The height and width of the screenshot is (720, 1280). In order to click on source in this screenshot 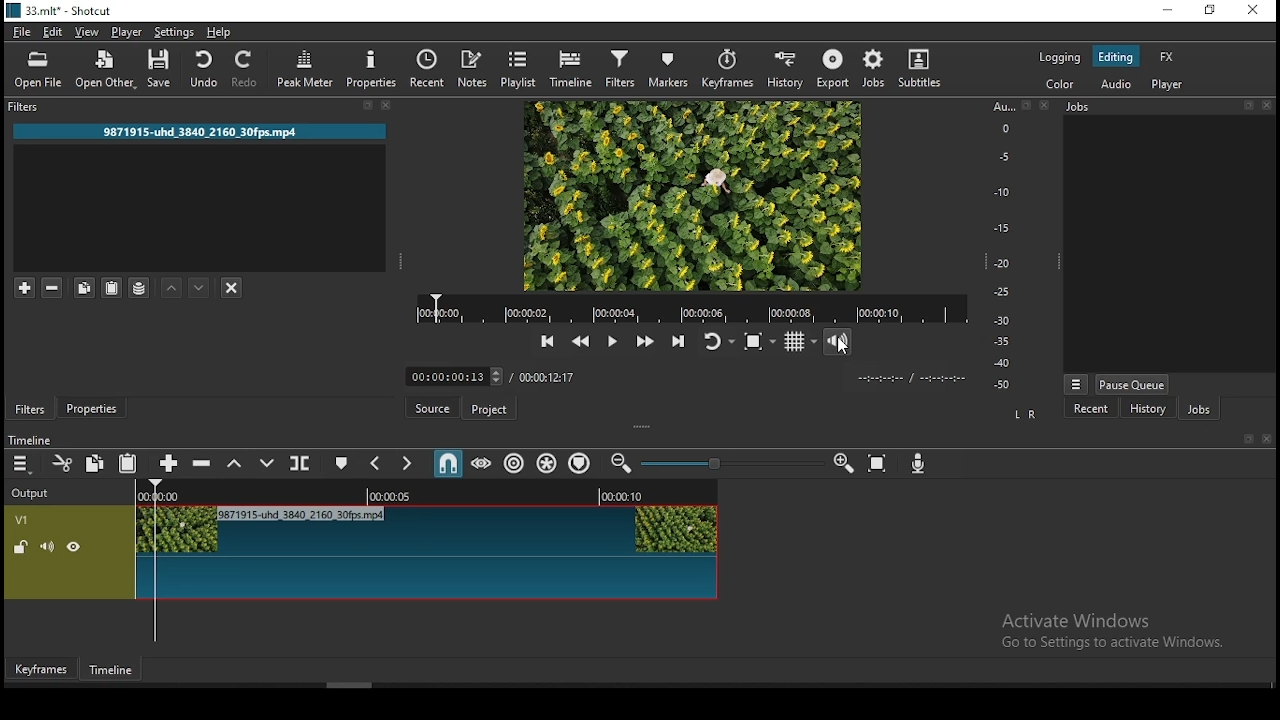, I will do `click(437, 409)`.